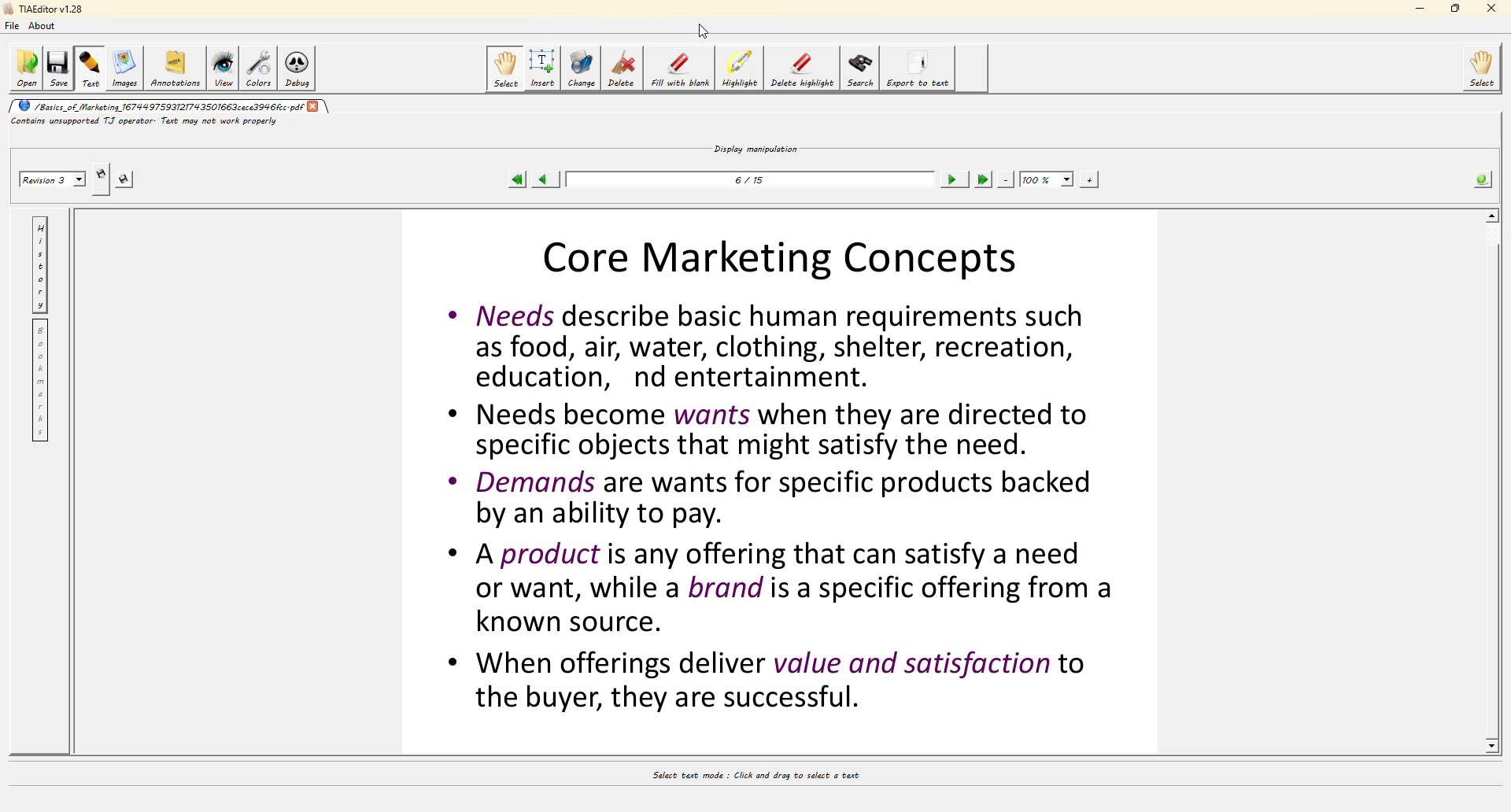 The height and width of the screenshot is (812, 1511). Describe the element at coordinates (517, 180) in the screenshot. I see `first page` at that location.